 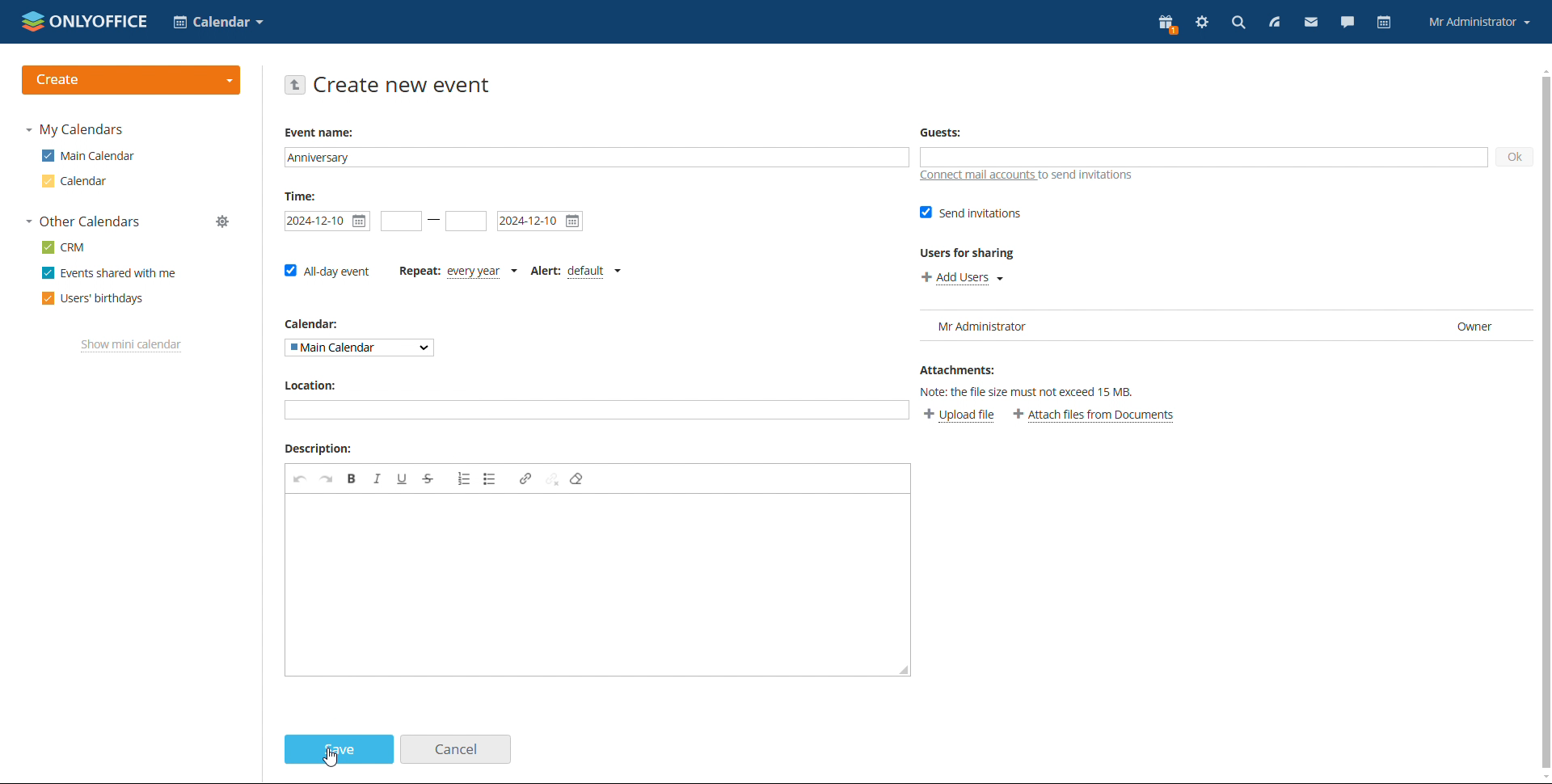 I want to click on account, so click(x=1479, y=21).